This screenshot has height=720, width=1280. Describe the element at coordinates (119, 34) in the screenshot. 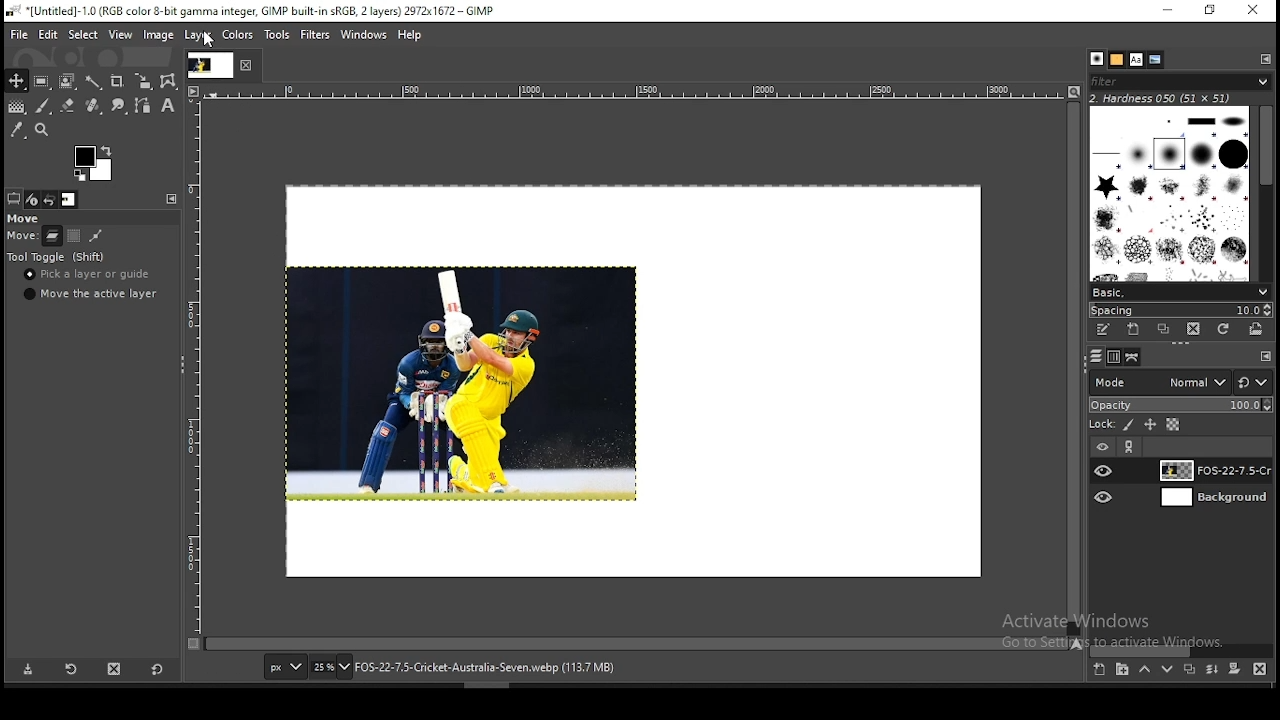

I see `view` at that location.